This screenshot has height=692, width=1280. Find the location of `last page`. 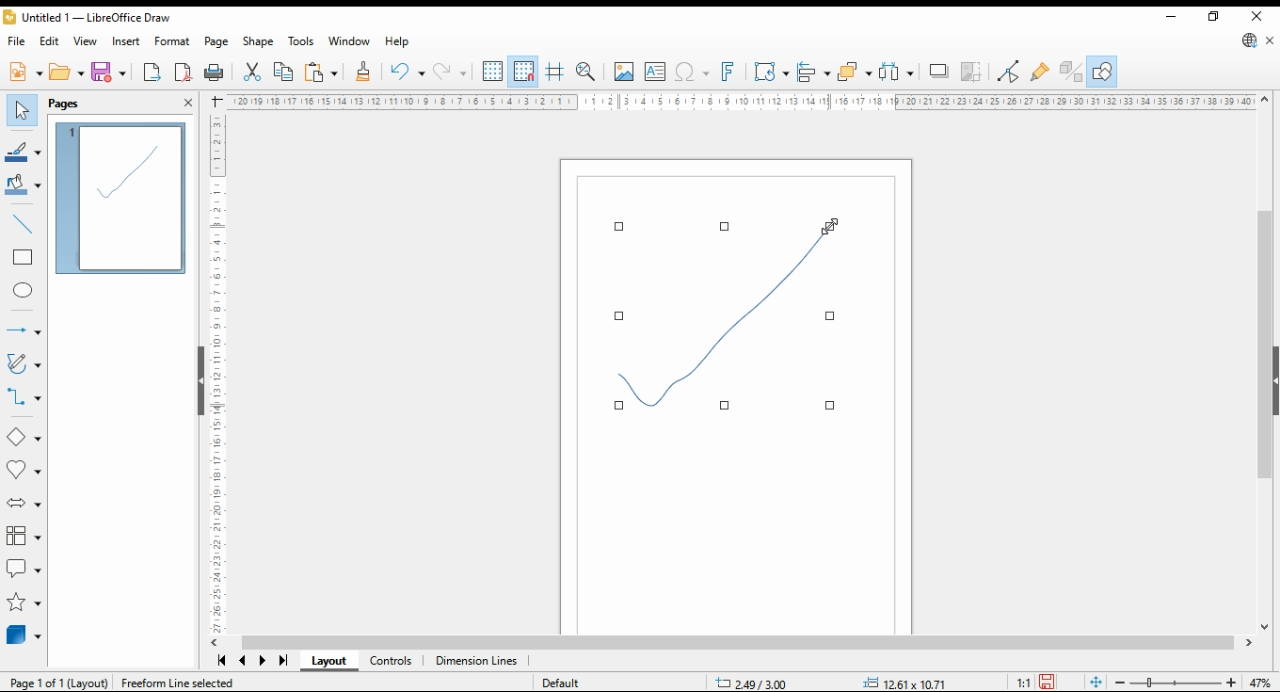

last page is located at coordinates (284, 661).